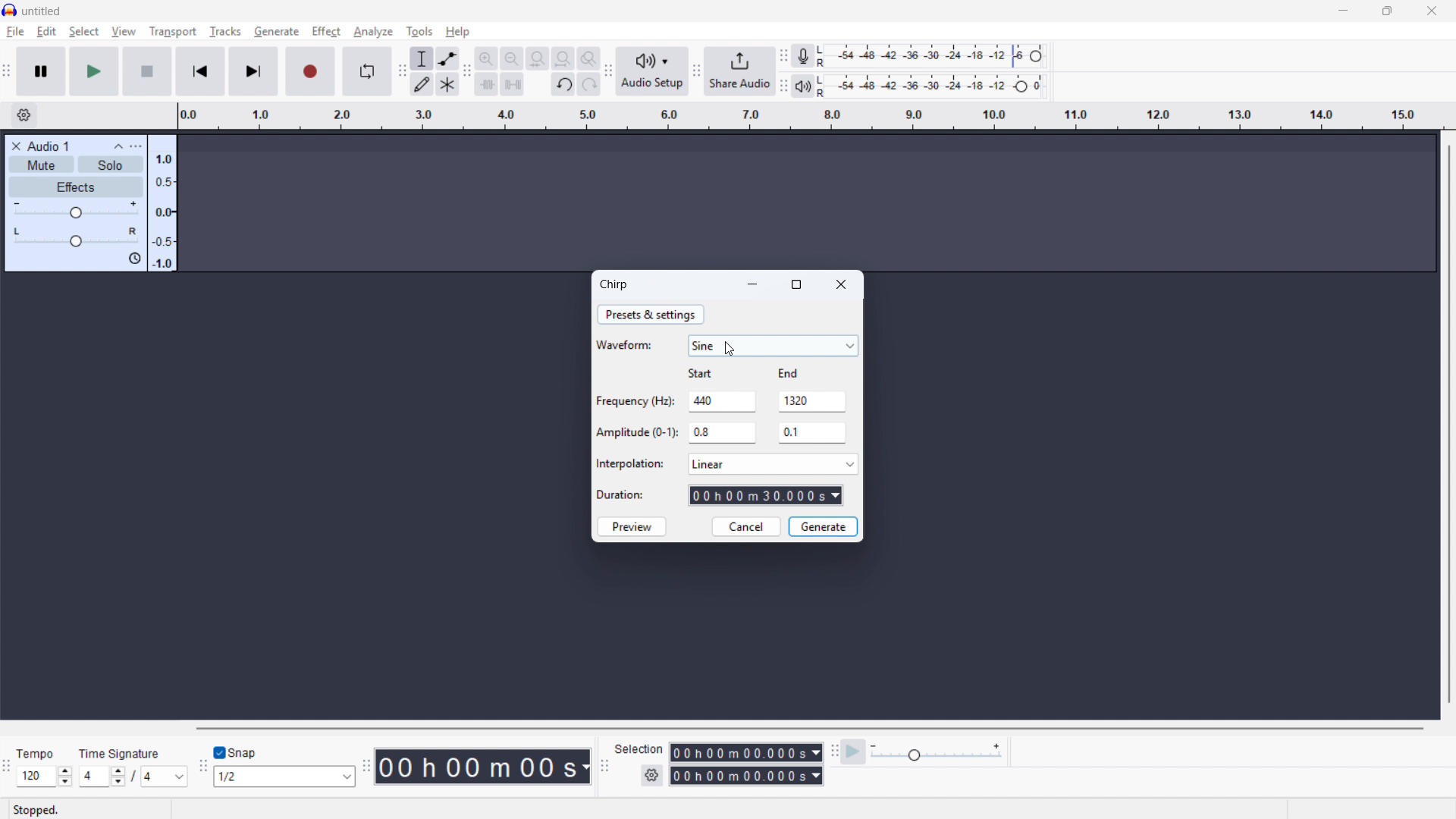 This screenshot has height=819, width=1456. Describe the element at coordinates (47, 32) in the screenshot. I see `Edit ` at that location.